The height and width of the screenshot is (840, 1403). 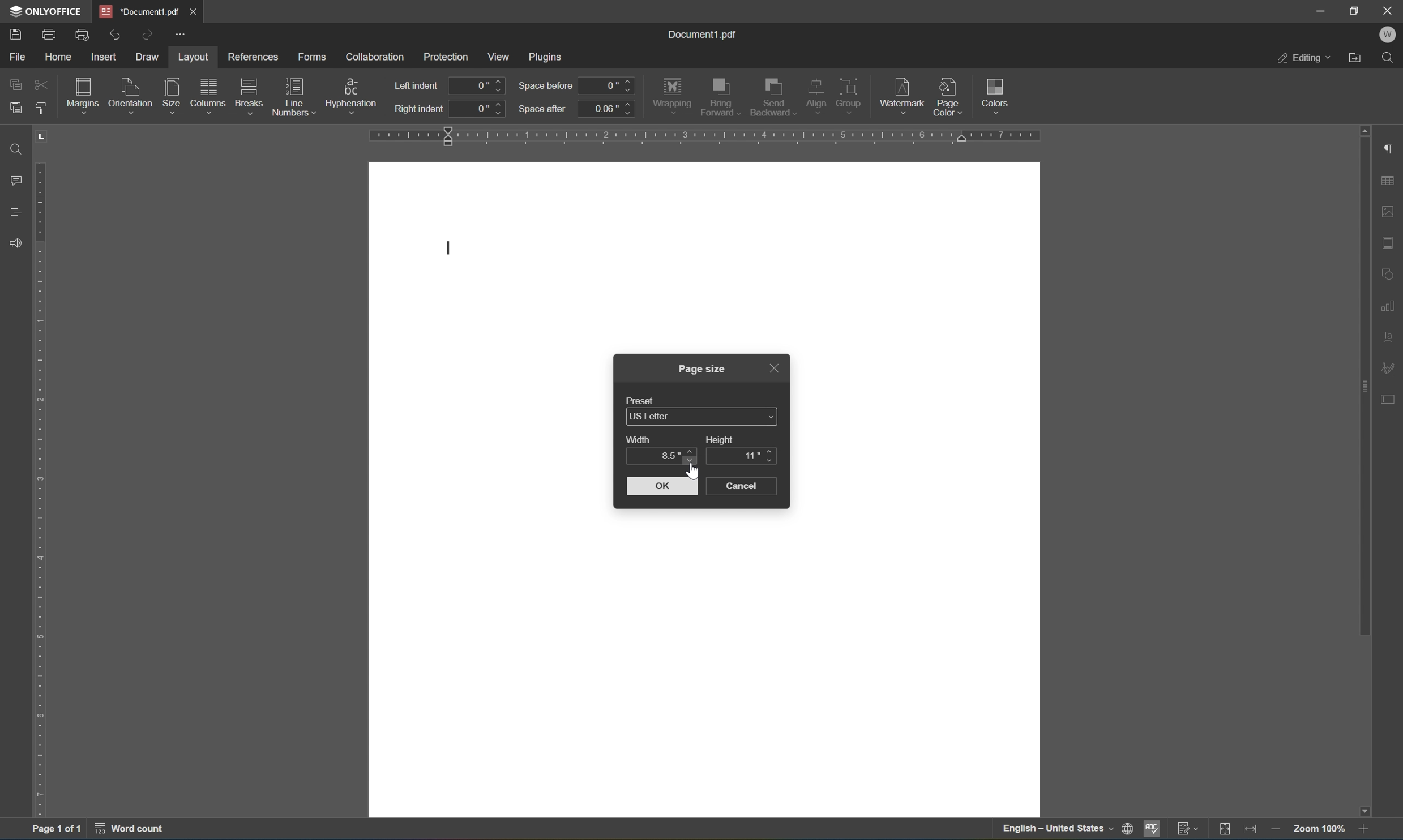 I want to click on 8.5 inches with active cursor, so click(x=671, y=457).